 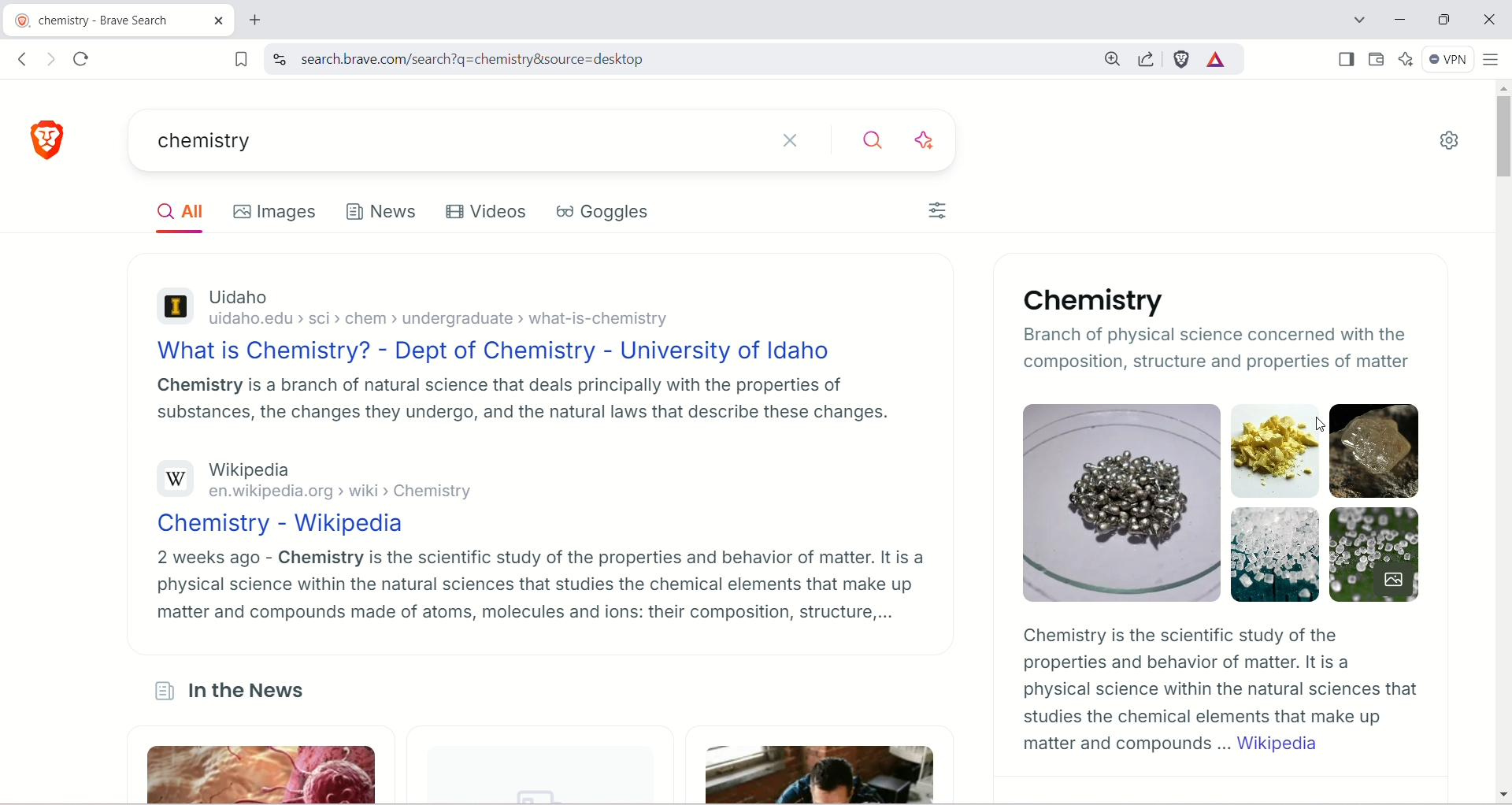 What do you see at coordinates (441, 139) in the screenshot?
I see `current search` at bounding box center [441, 139].